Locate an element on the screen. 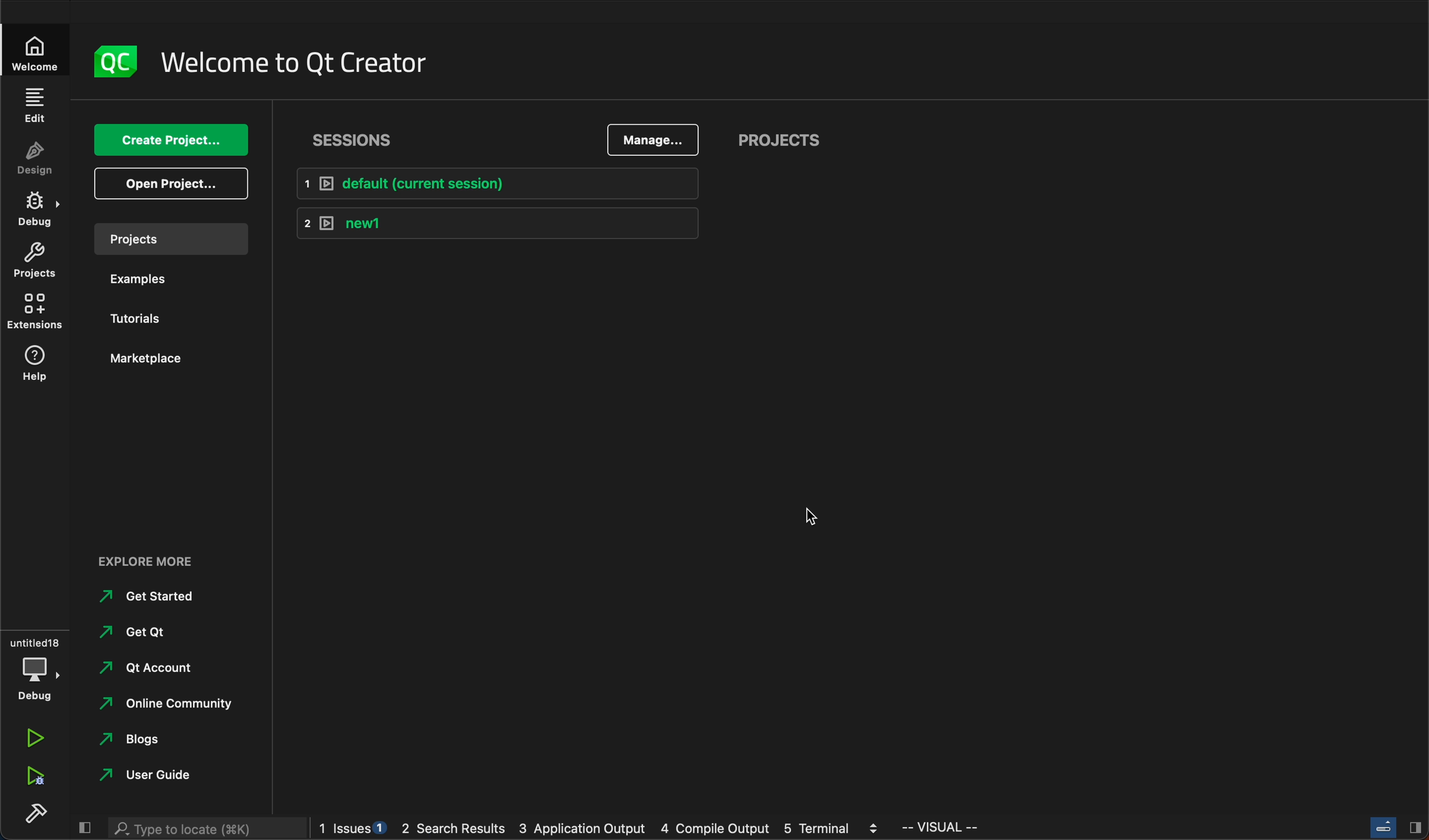  logs is located at coordinates (605, 830).